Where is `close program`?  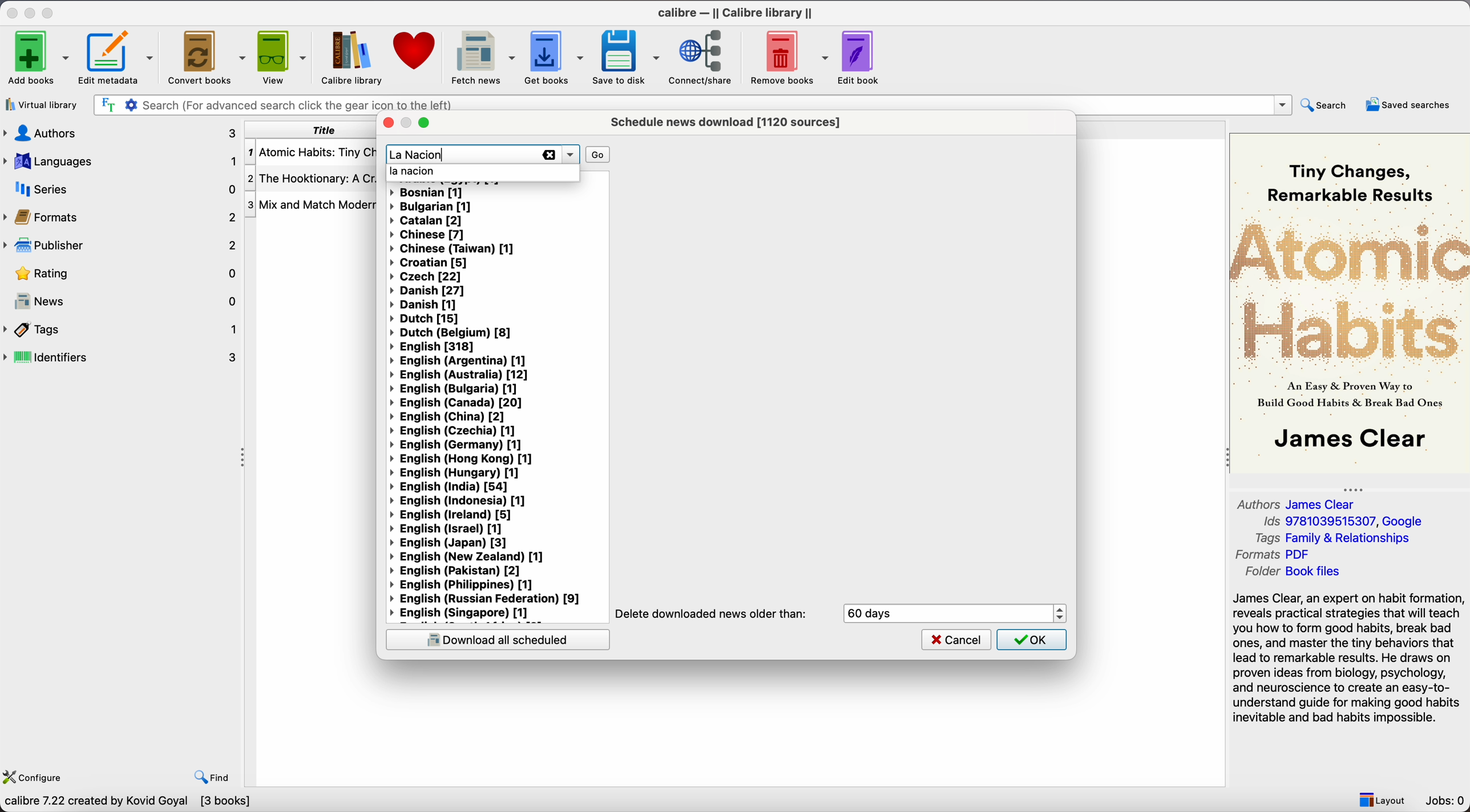
close program is located at coordinates (12, 11).